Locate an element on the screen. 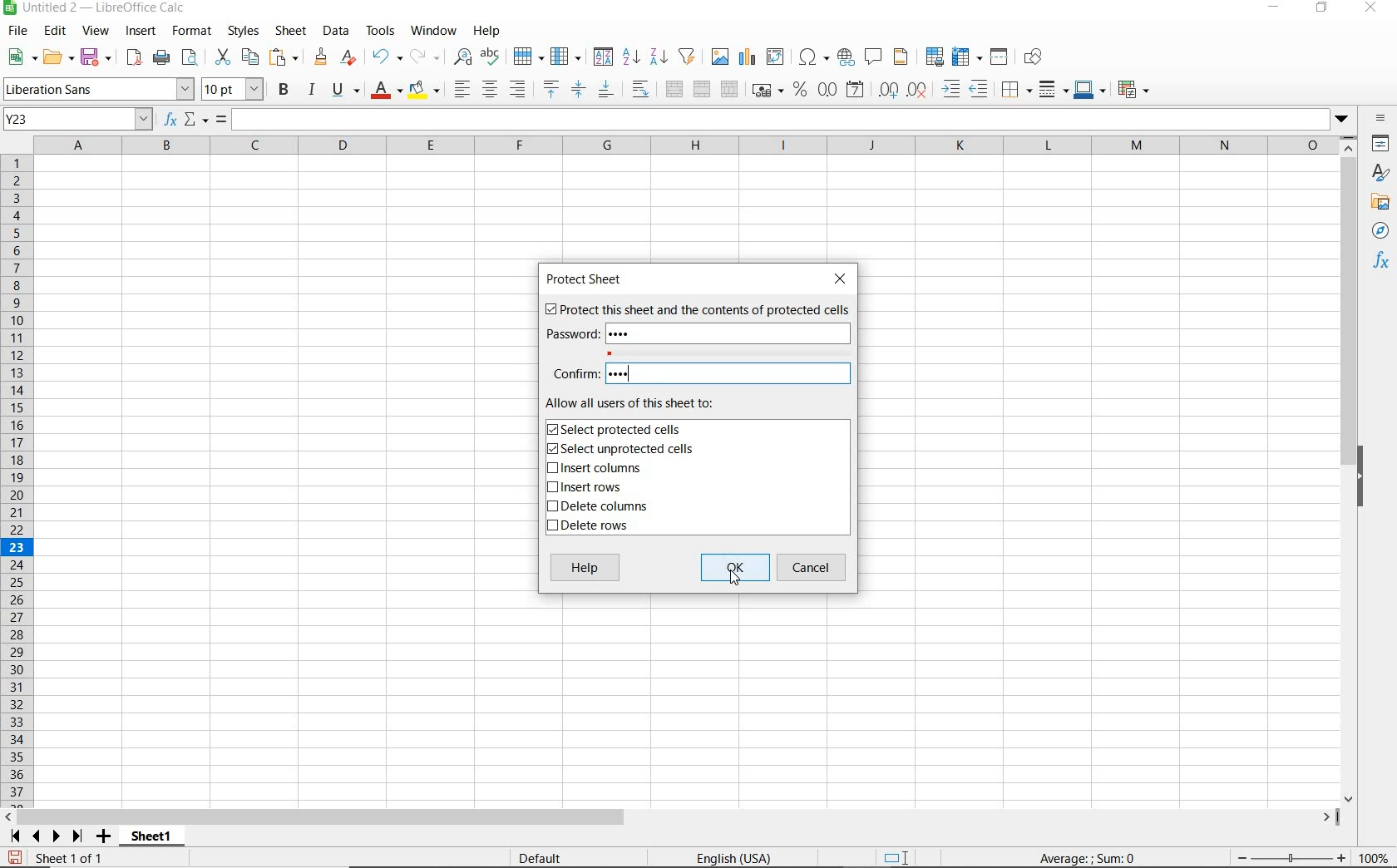 This screenshot has height=868, width=1397. WRAP TEXT is located at coordinates (640, 90).